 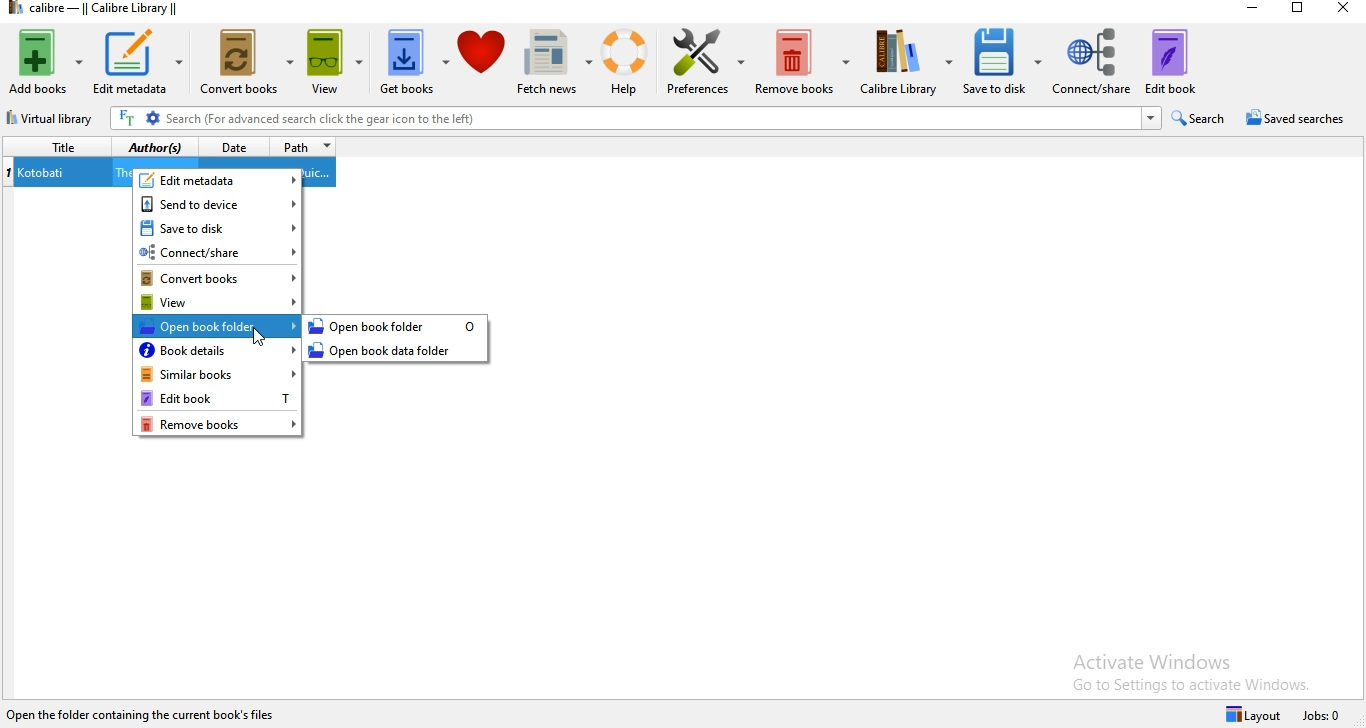 What do you see at coordinates (1001, 64) in the screenshot?
I see `save to disk` at bounding box center [1001, 64].